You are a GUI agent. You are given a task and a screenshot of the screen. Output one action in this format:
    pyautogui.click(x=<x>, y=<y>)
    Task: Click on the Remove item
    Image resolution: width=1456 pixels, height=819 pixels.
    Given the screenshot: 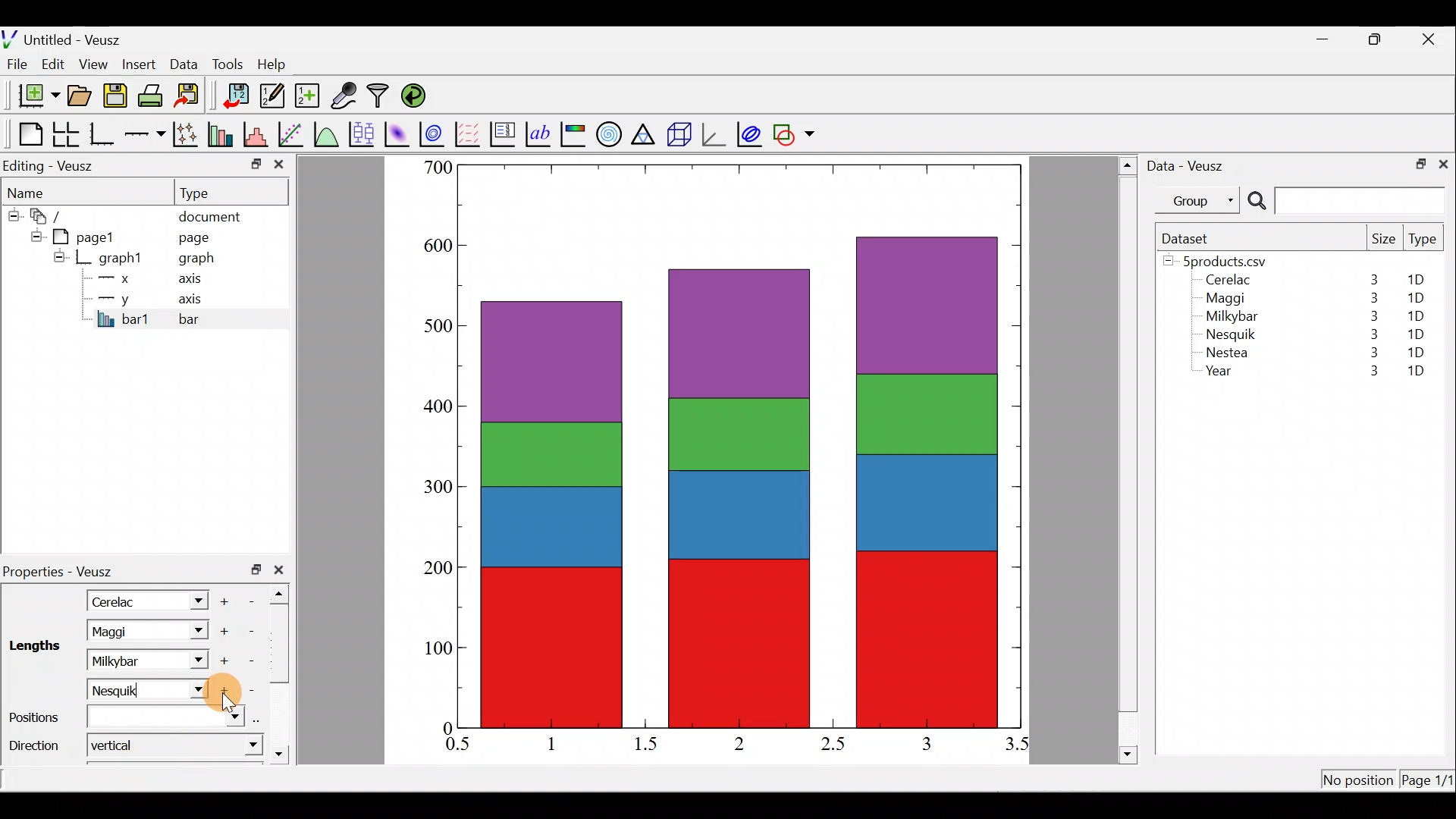 What is the action you would take?
    pyautogui.click(x=249, y=690)
    